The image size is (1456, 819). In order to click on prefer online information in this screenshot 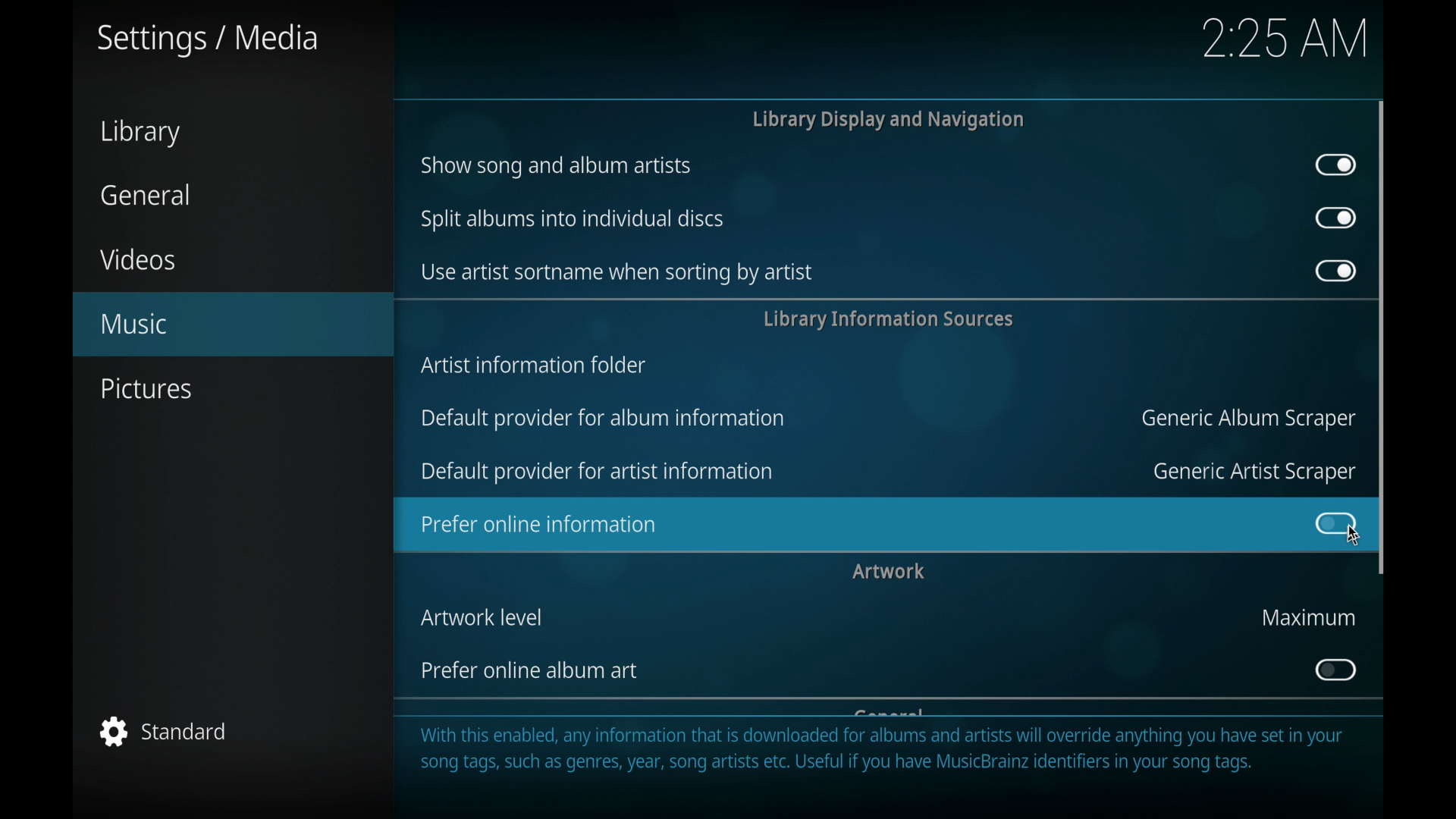, I will do `click(833, 525)`.